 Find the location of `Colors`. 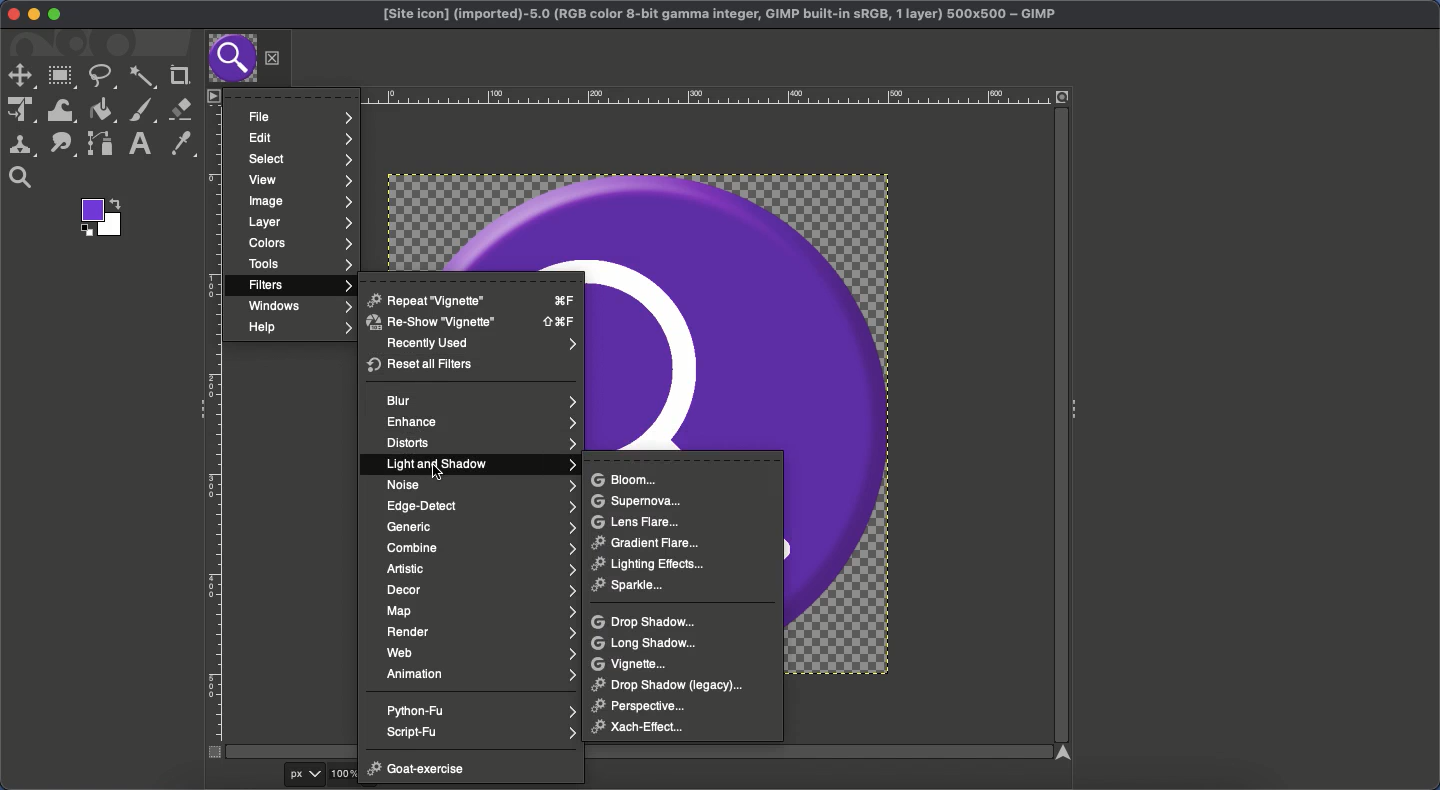

Colors is located at coordinates (297, 244).